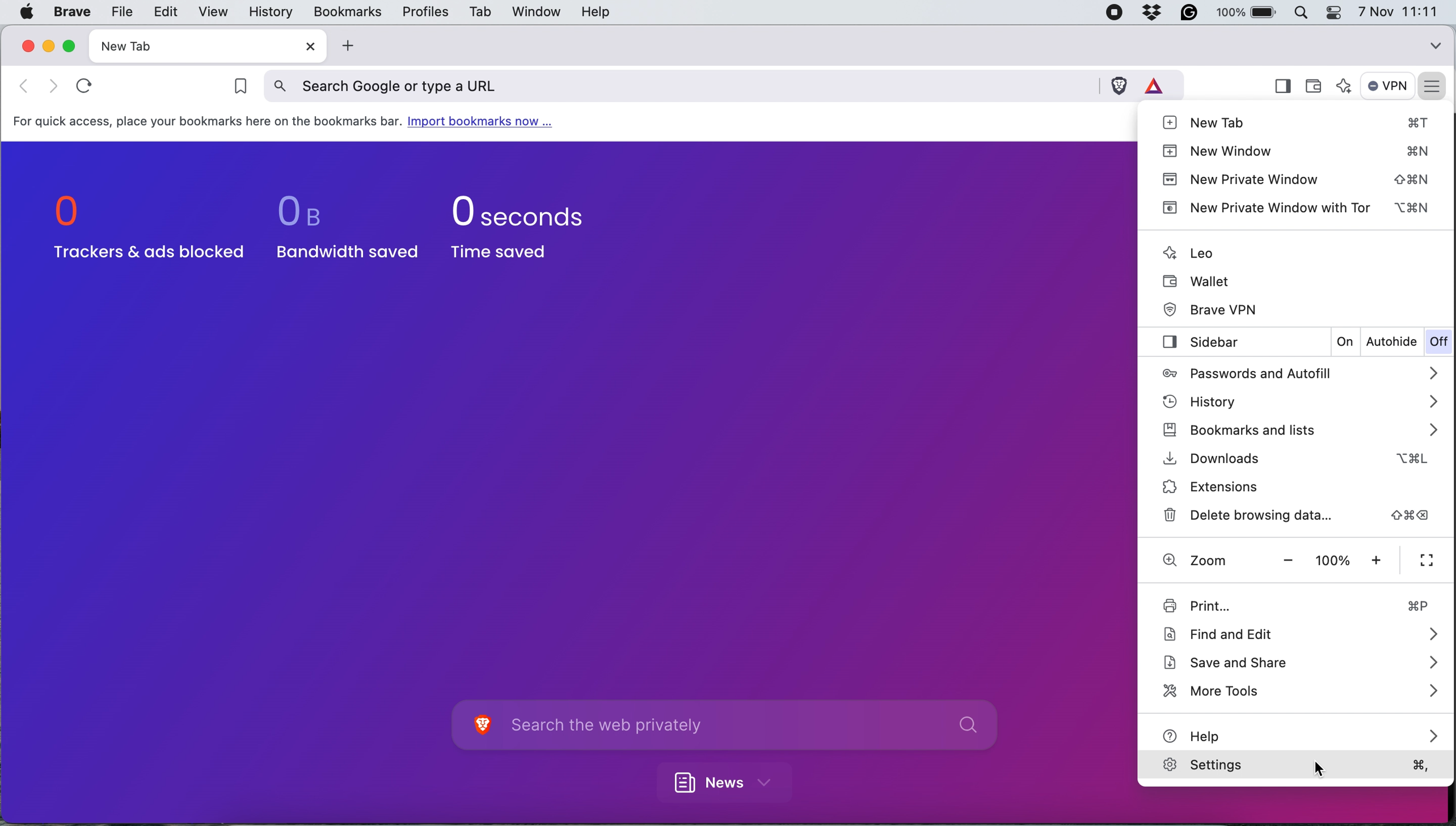  Describe the element at coordinates (145, 229) in the screenshot. I see `0 trackers blocked` at that location.